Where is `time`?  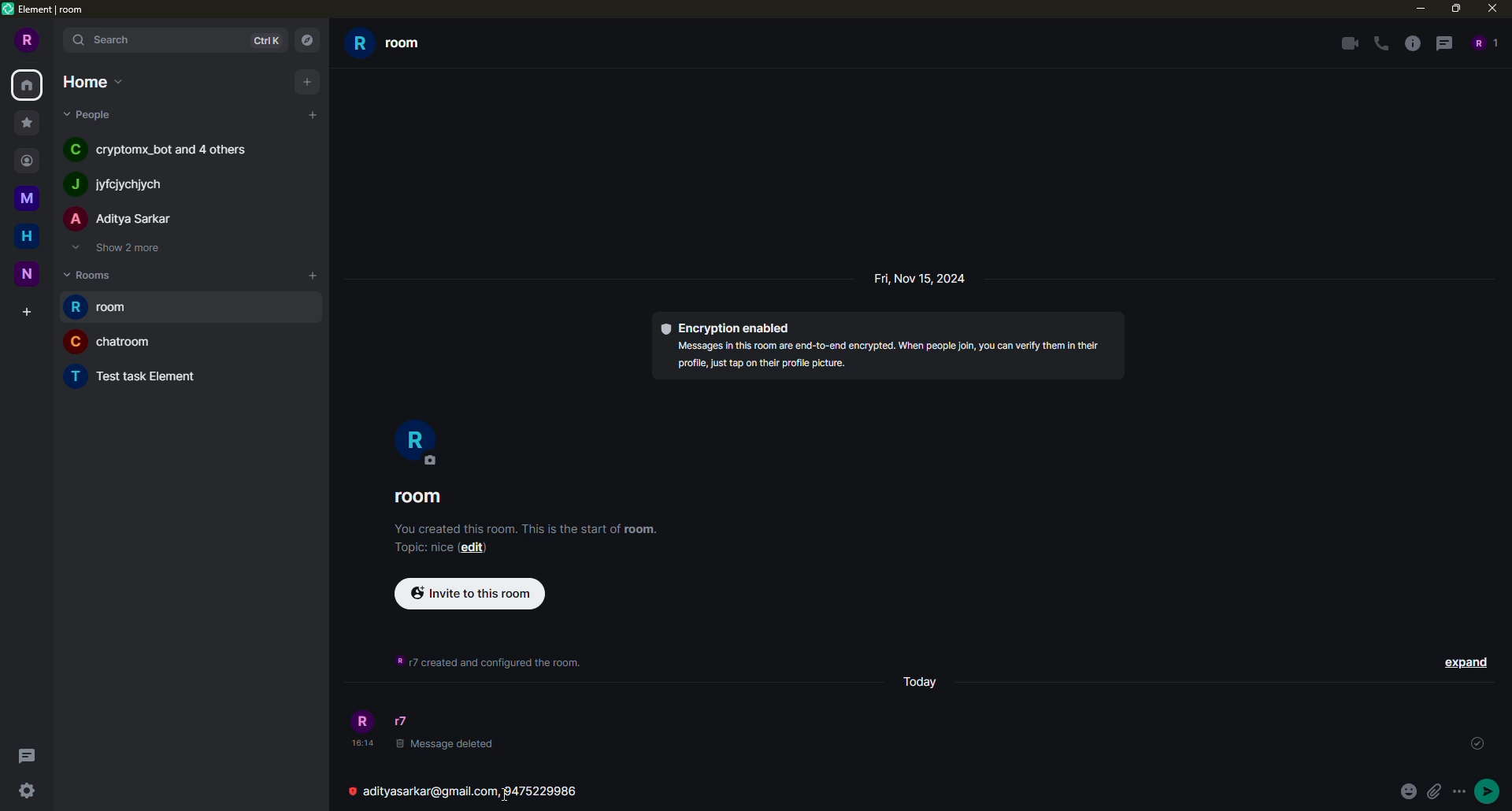 time is located at coordinates (361, 742).